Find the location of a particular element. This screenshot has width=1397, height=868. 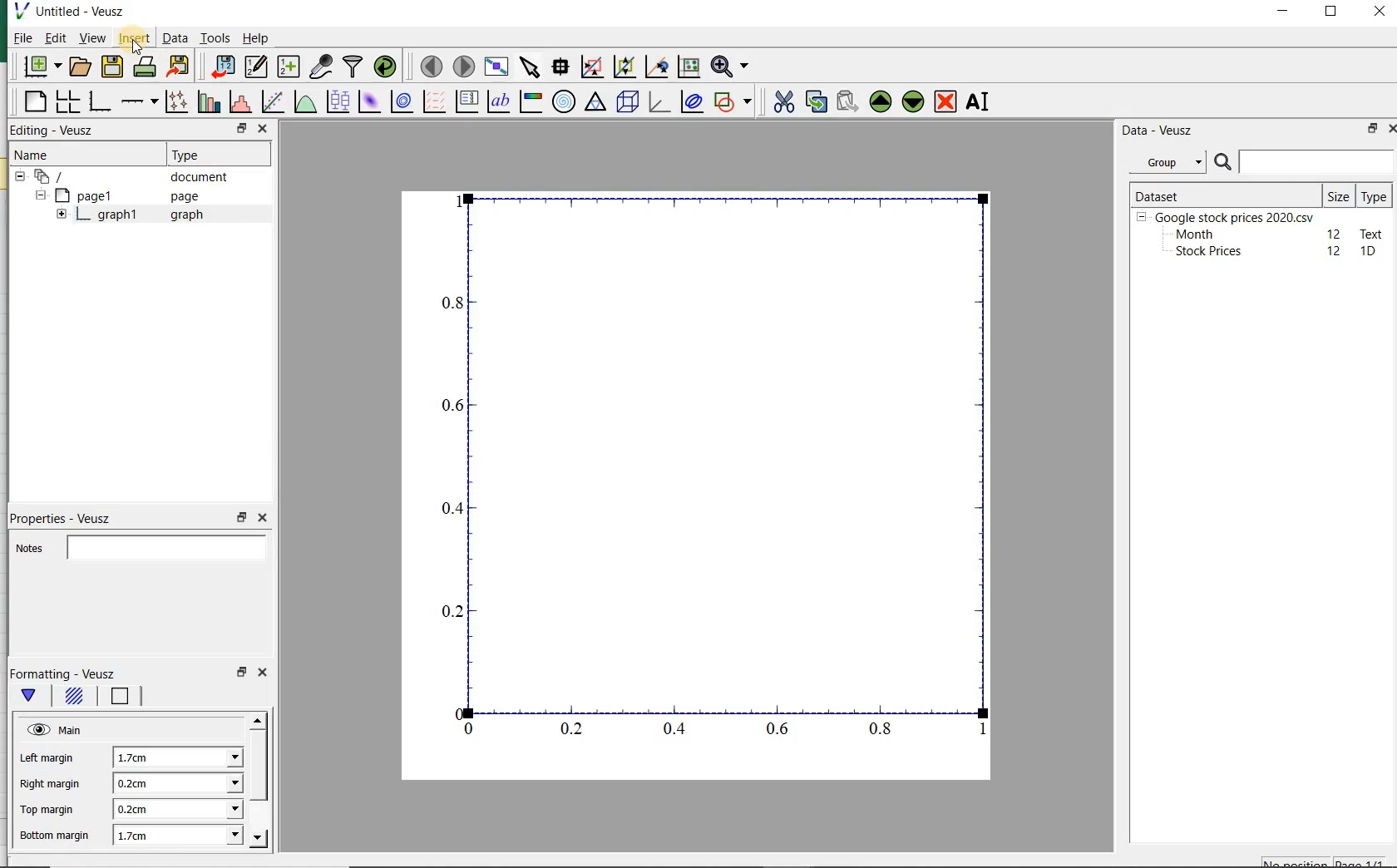

Properties - Veusz is located at coordinates (62, 517).